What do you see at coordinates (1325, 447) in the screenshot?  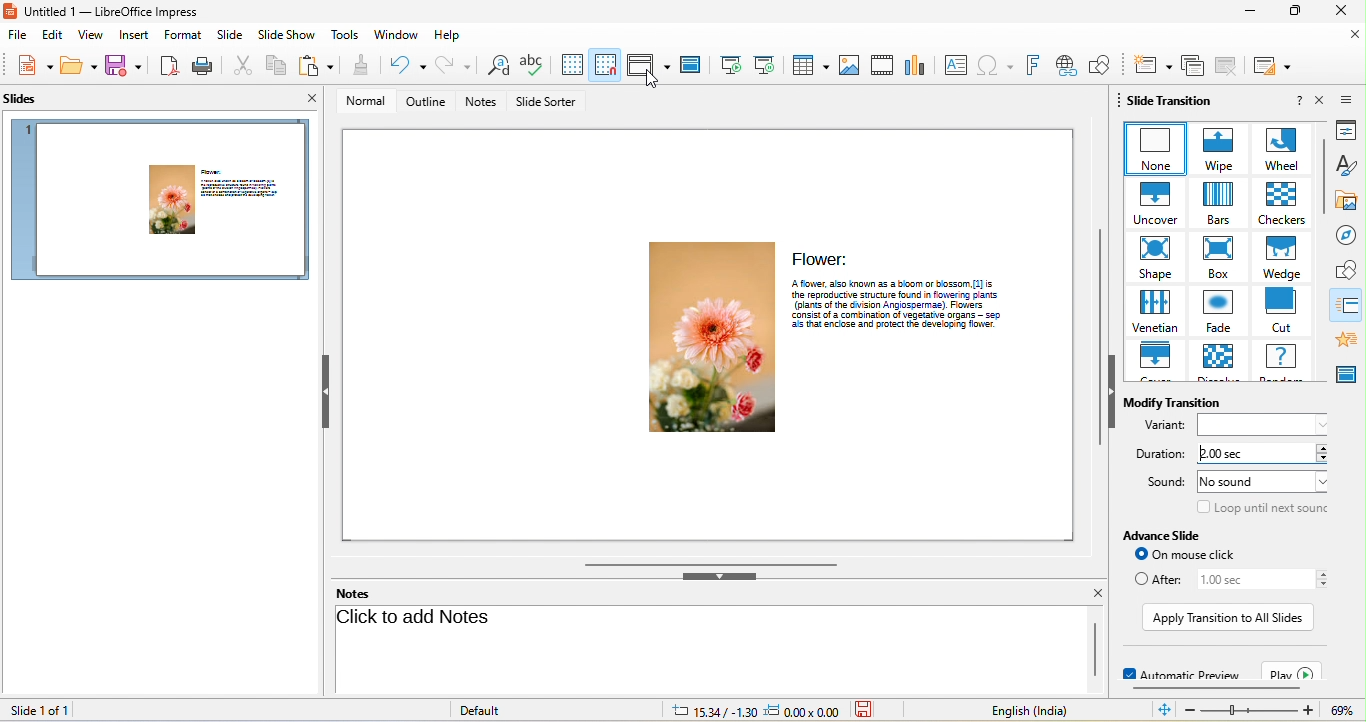 I see `increase duration` at bounding box center [1325, 447].